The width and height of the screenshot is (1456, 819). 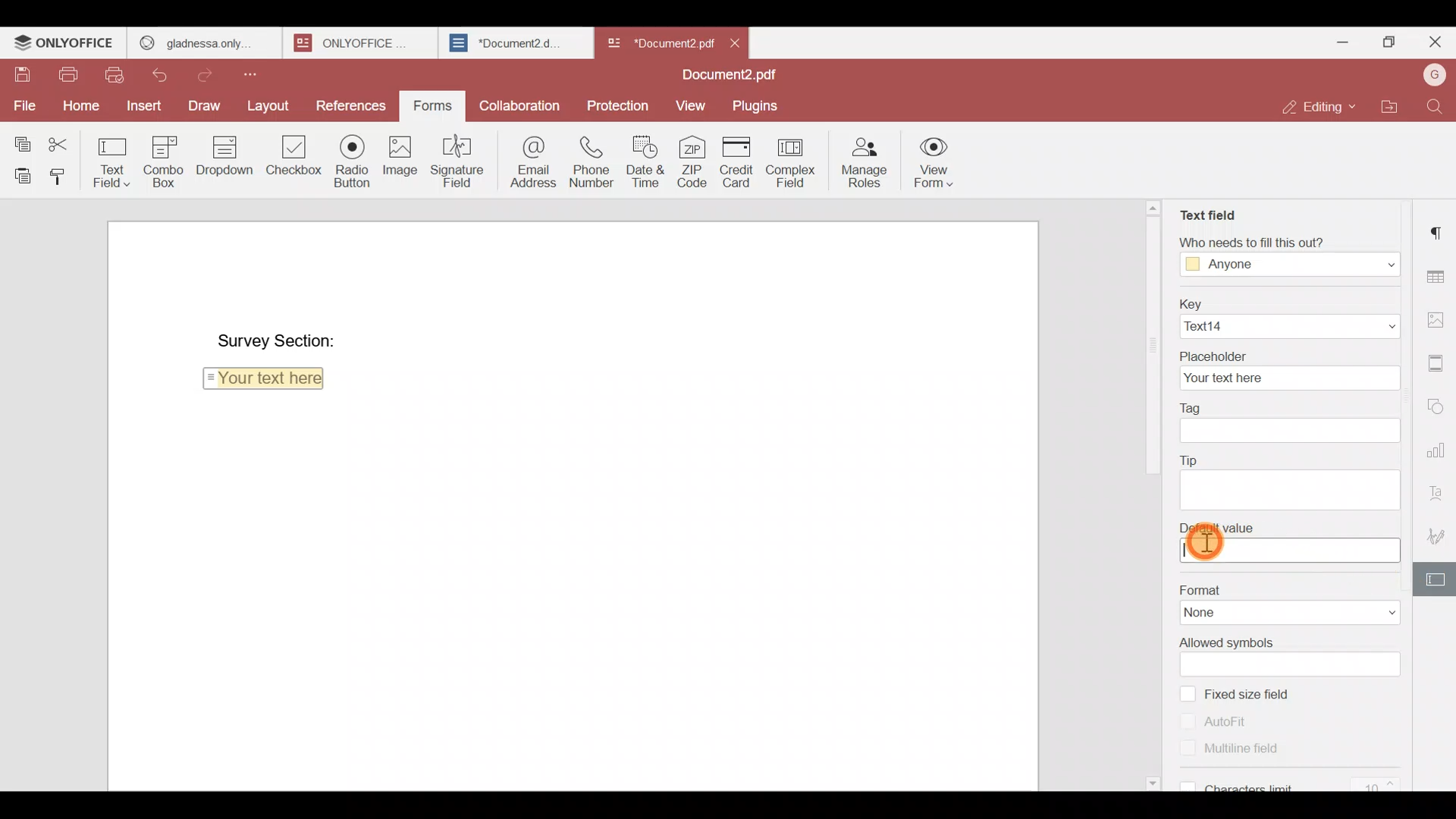 I want to click on Paste, so click(x=18, y=173).